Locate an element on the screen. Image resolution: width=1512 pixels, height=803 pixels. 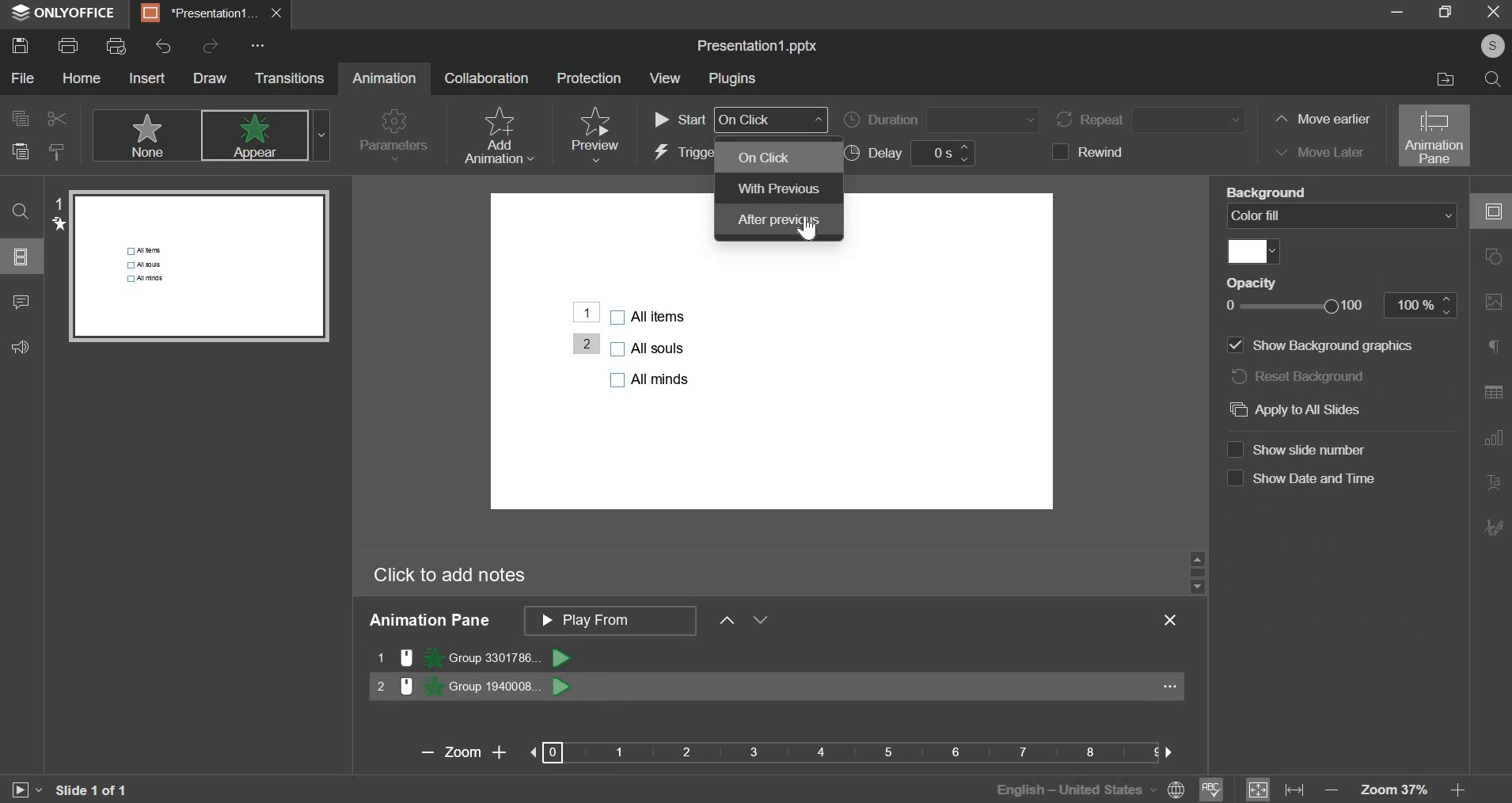
print is located at coordinates (68, 44).